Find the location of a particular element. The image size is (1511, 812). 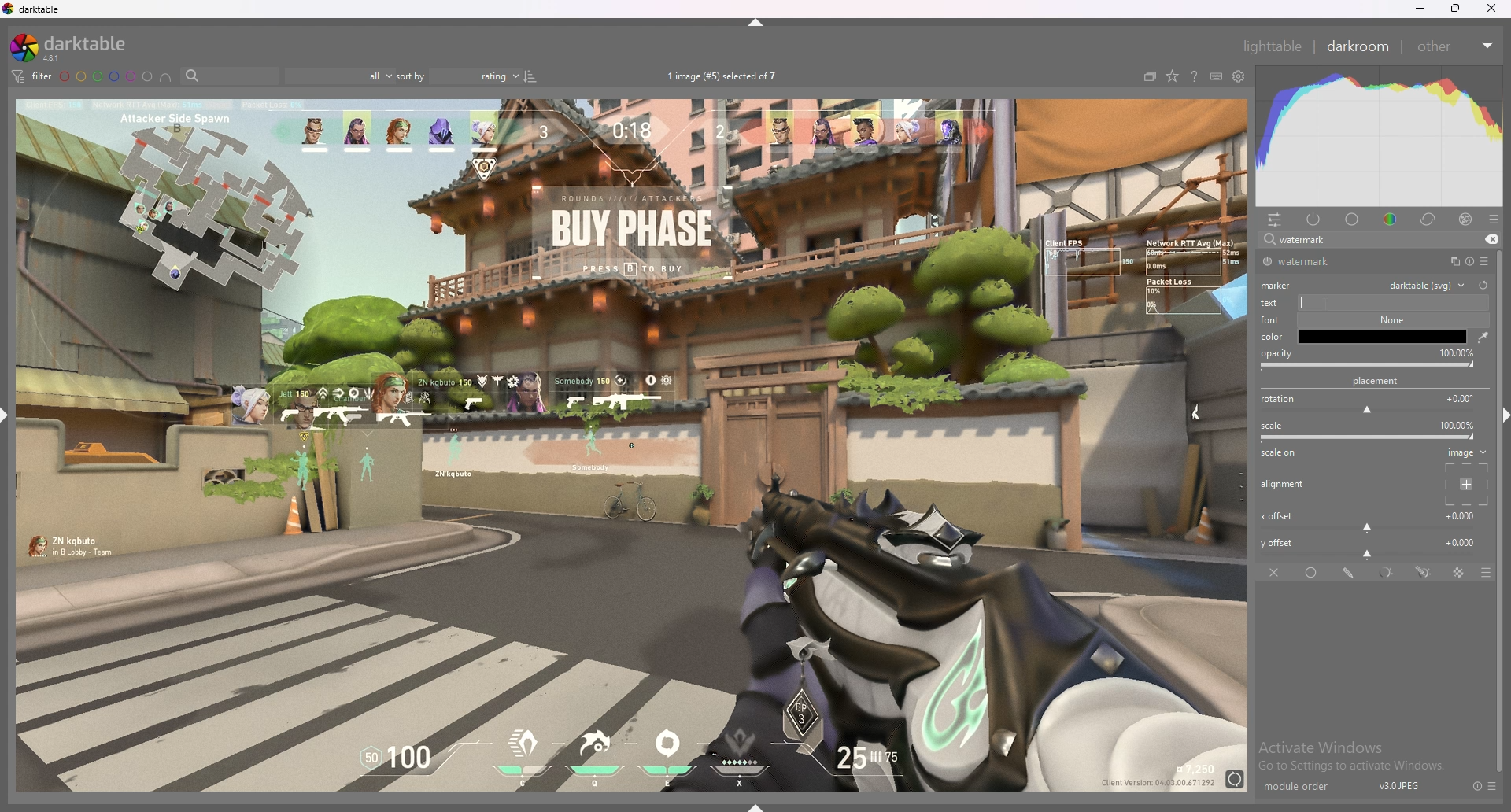

search module is located at coordinates (1359, 241).